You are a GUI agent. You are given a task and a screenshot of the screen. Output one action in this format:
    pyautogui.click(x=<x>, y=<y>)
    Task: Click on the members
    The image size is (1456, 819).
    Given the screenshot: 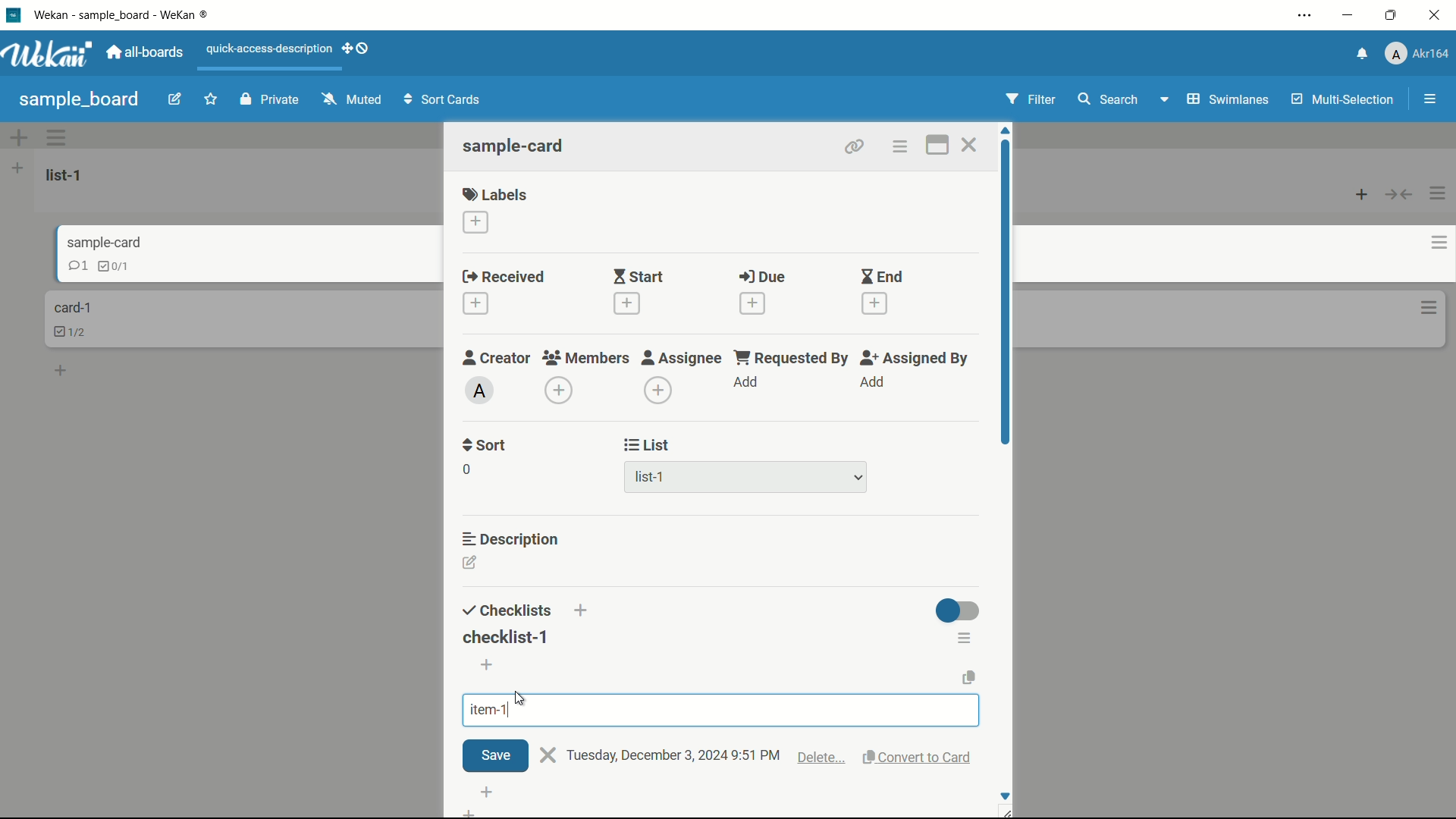 What is the action you would take?
    pyautogui.click(x=584, y=358)
    